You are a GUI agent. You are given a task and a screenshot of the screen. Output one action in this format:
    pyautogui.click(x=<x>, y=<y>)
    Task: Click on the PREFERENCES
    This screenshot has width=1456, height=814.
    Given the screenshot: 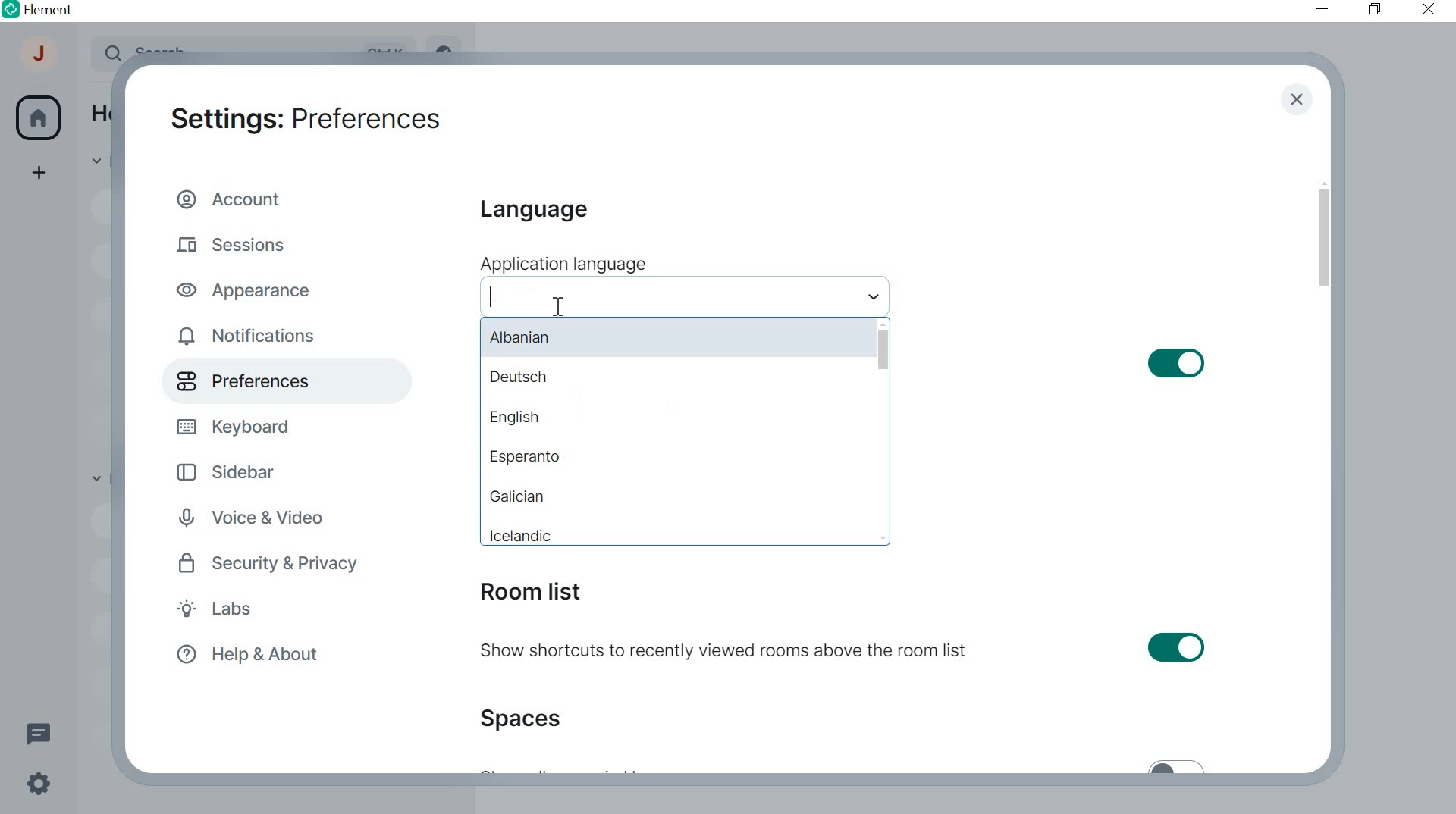 What is the action you would take?
    pyautogui.click(x=262, y=381)
    